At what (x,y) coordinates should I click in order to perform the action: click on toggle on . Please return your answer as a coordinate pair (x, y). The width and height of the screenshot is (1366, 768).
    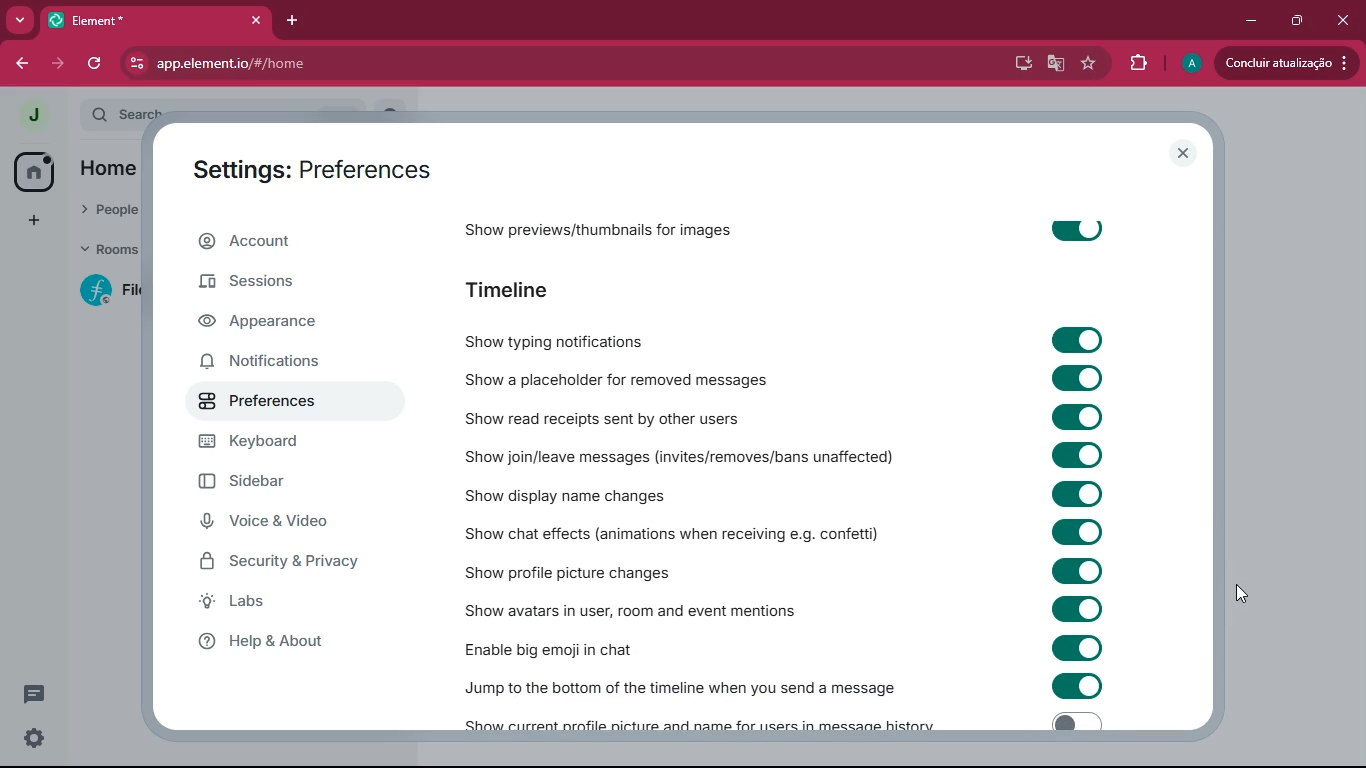
    Looking at the image, I should click on (1083, 453).